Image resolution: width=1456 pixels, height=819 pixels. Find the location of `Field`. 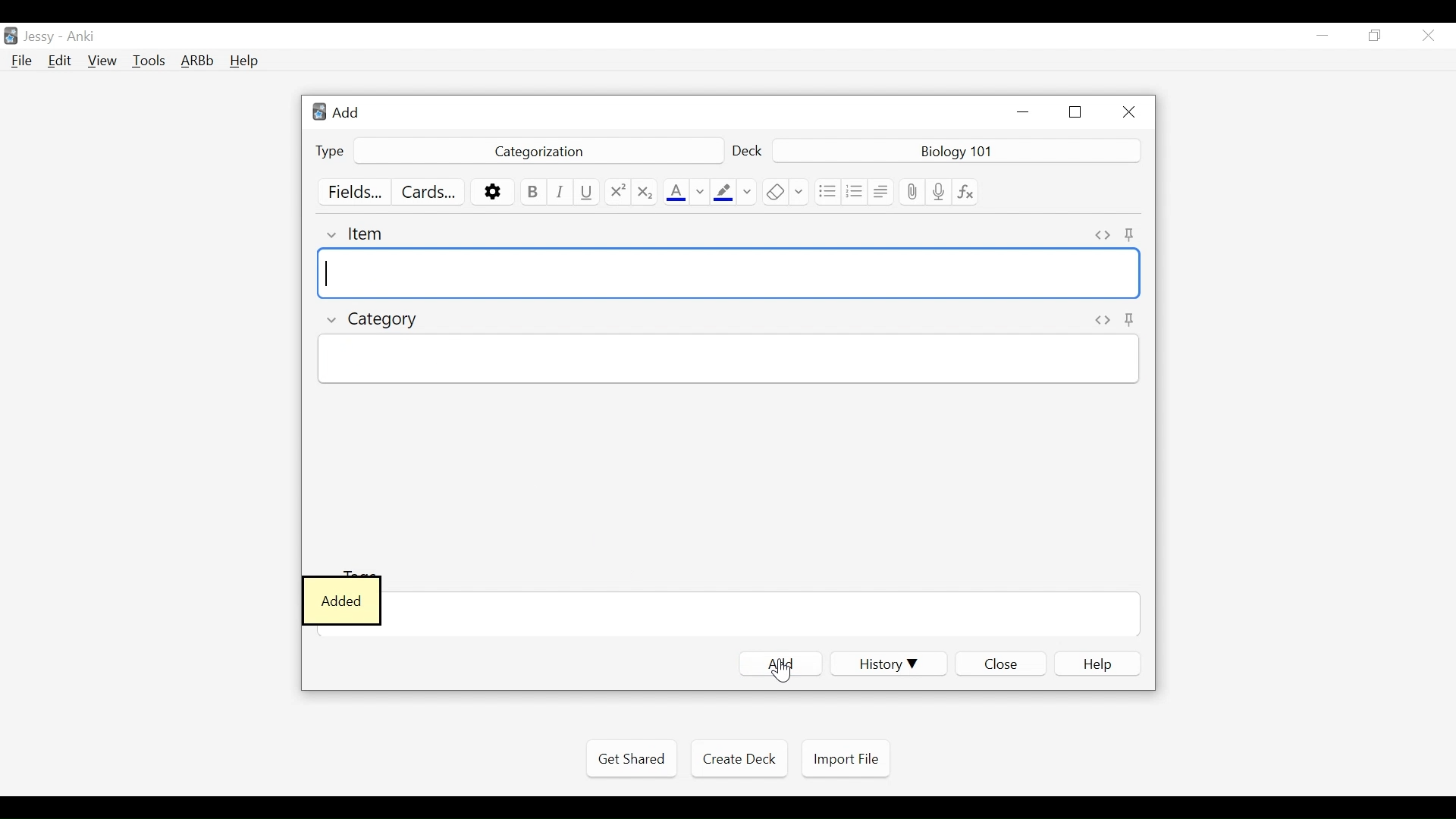

Field is located at coordinates (761, 613).